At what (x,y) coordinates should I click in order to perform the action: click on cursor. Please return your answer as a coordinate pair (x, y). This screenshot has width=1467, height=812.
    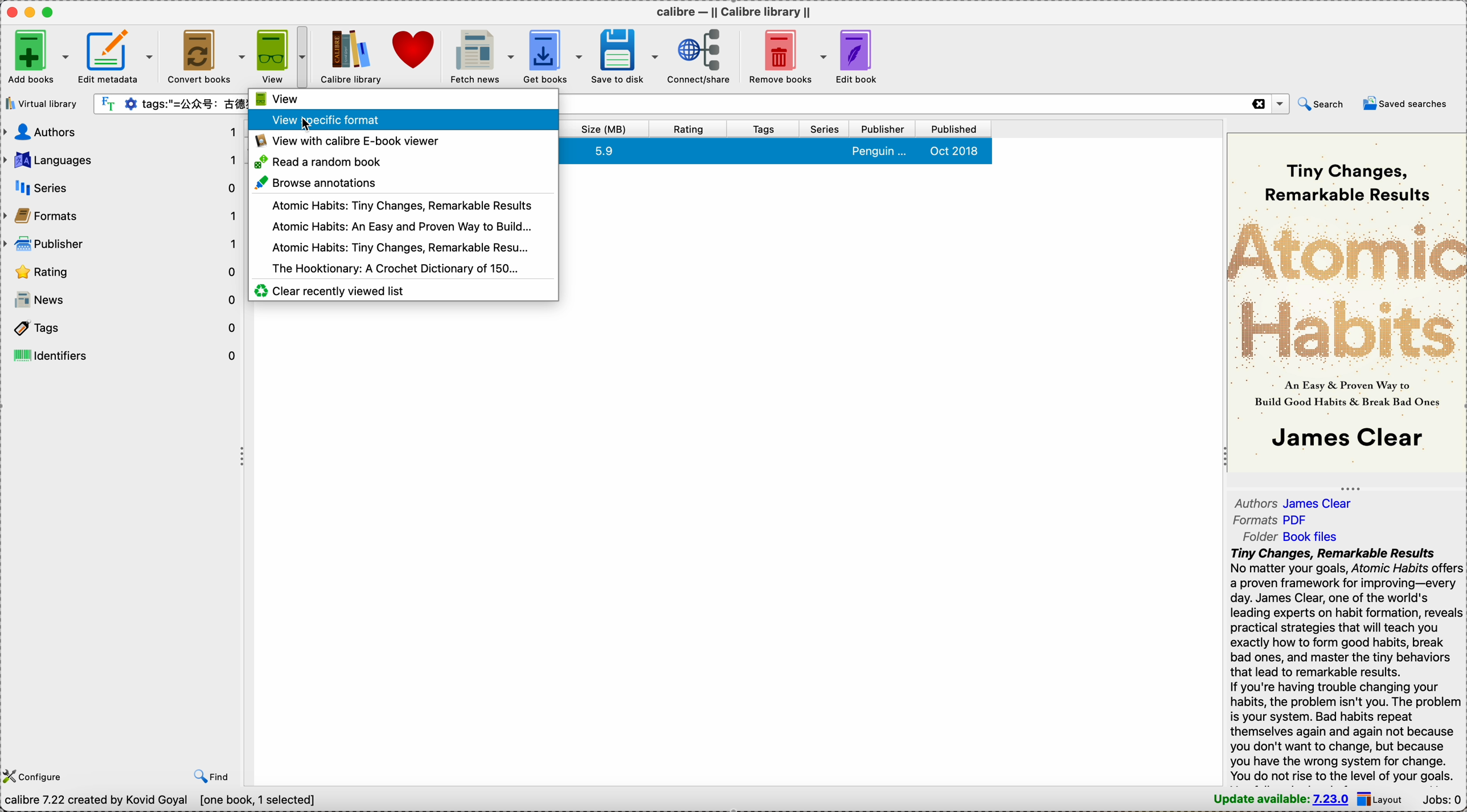
    Looking at the image, I should click on (311, 122).